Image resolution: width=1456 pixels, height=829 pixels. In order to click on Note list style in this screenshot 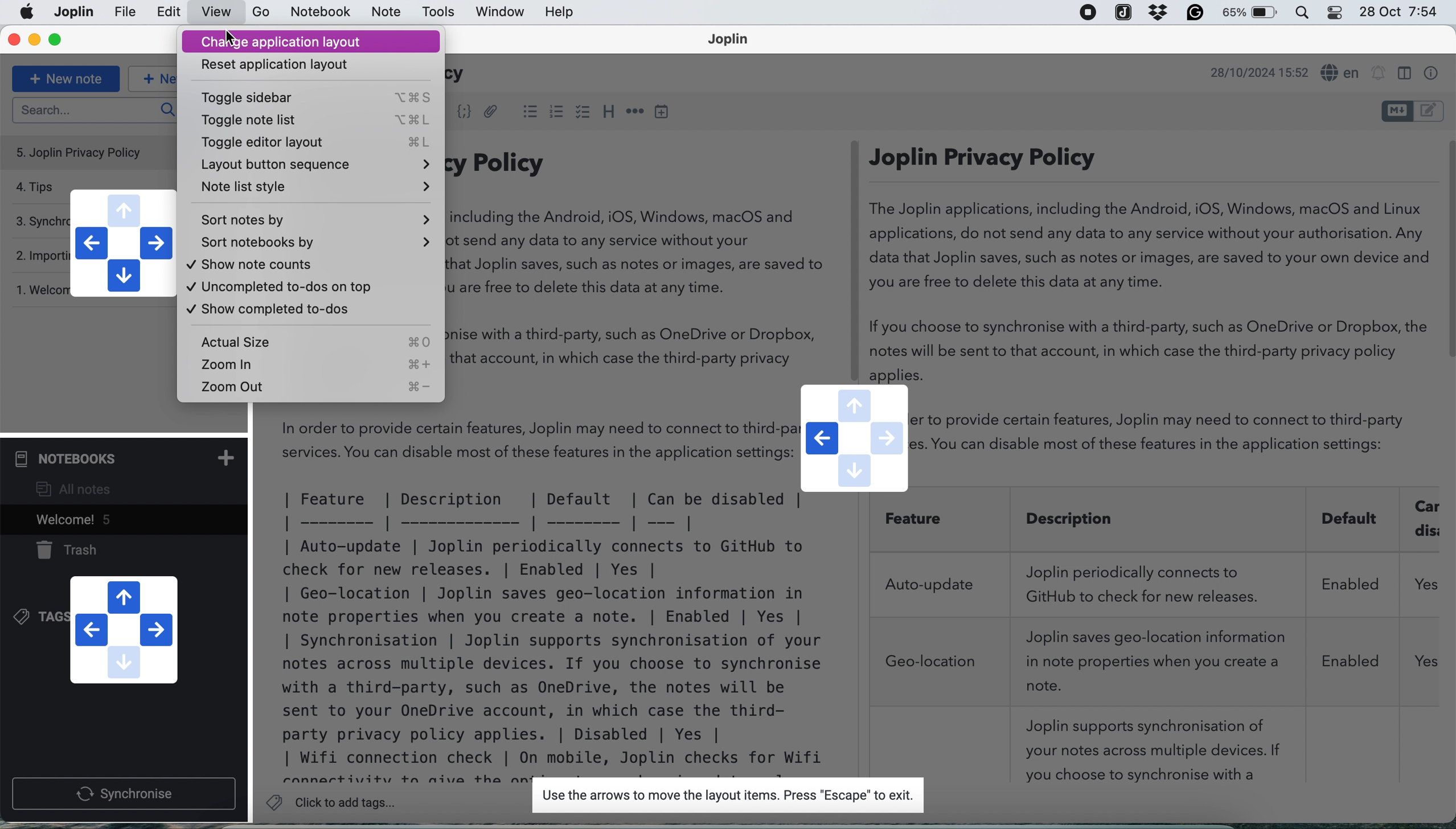, I will do `click(314, 190)`.